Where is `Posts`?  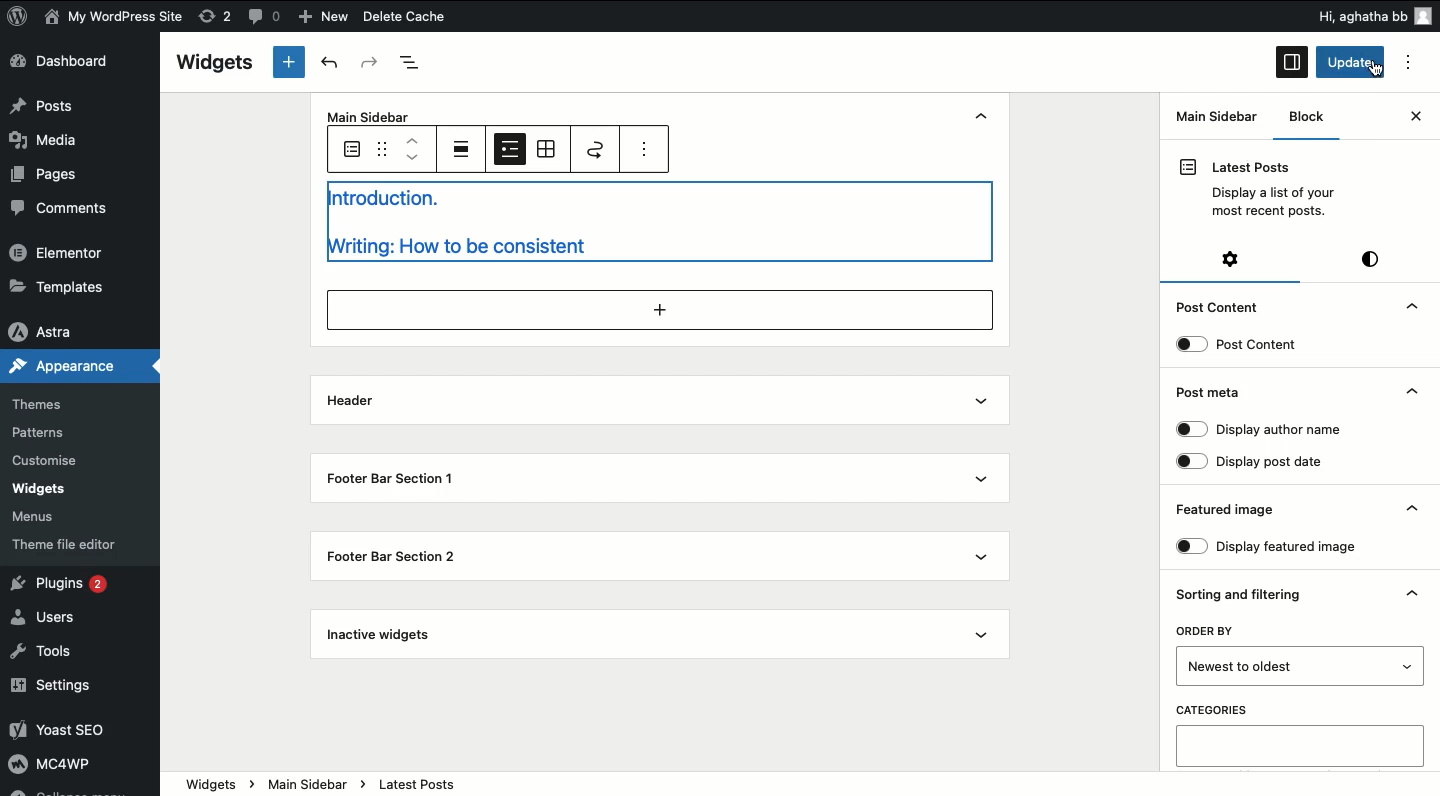
Posts is located at coordinates (45, 106).